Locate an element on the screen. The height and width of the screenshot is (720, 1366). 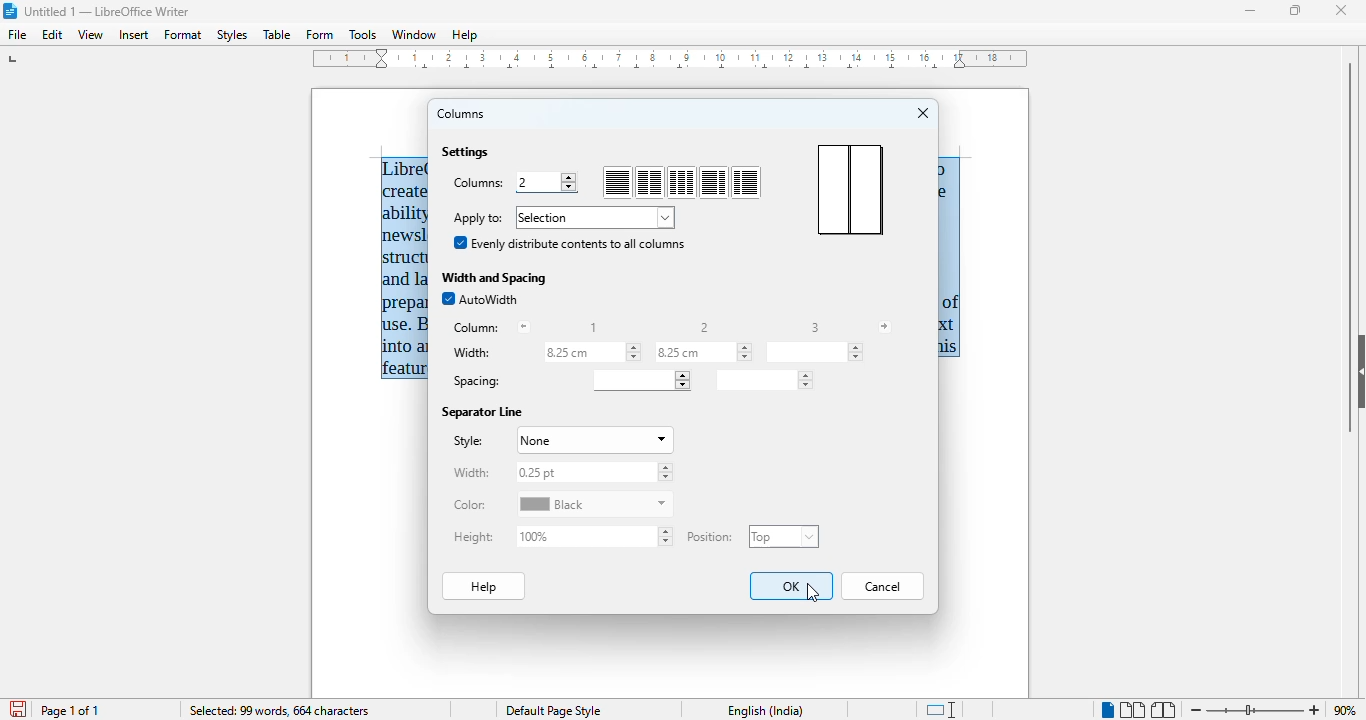
1 column is located at coordinates (617, 183).